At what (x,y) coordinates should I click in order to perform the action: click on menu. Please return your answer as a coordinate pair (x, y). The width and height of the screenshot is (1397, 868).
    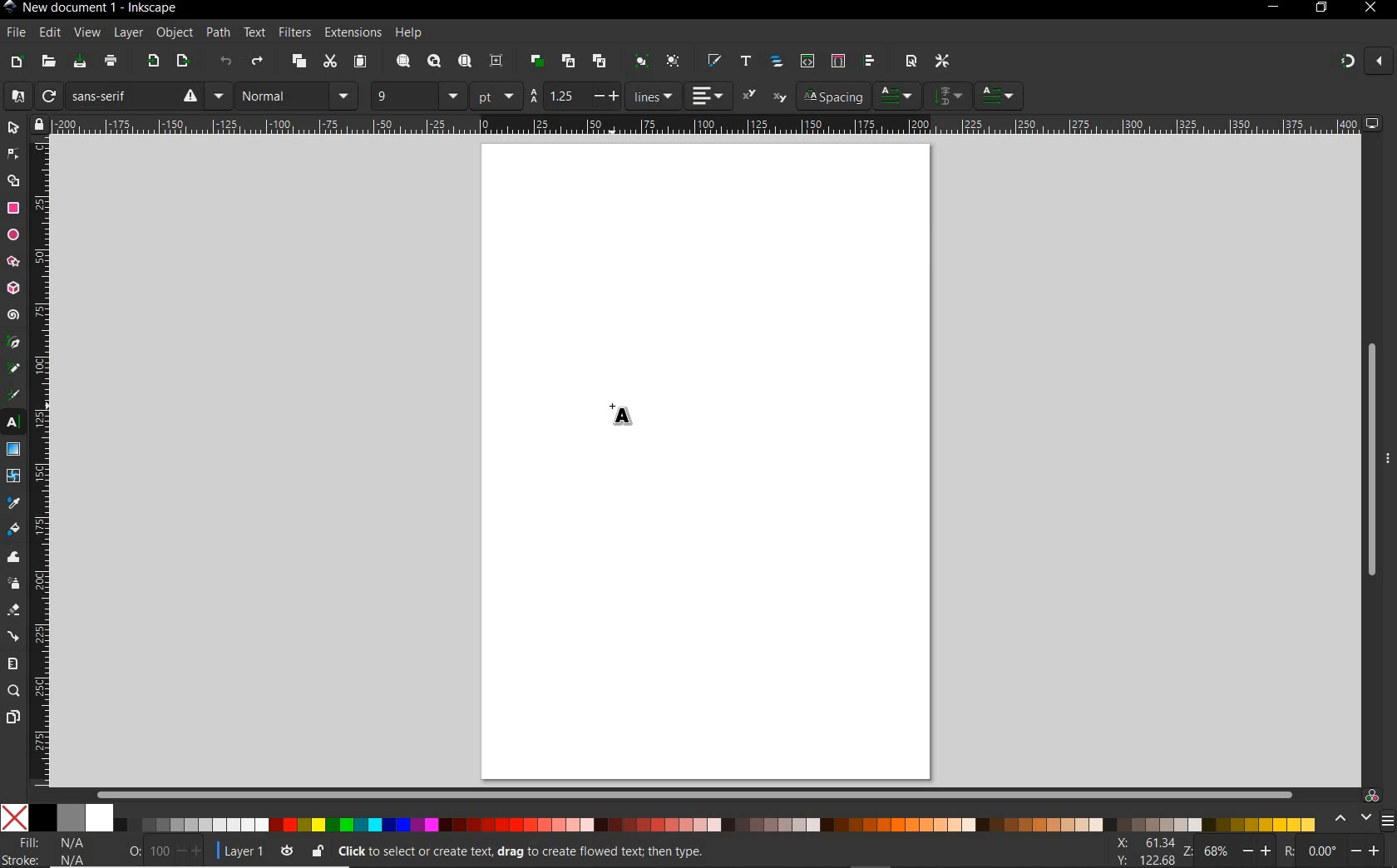
    Looking at the image, I should click on (949, 95).